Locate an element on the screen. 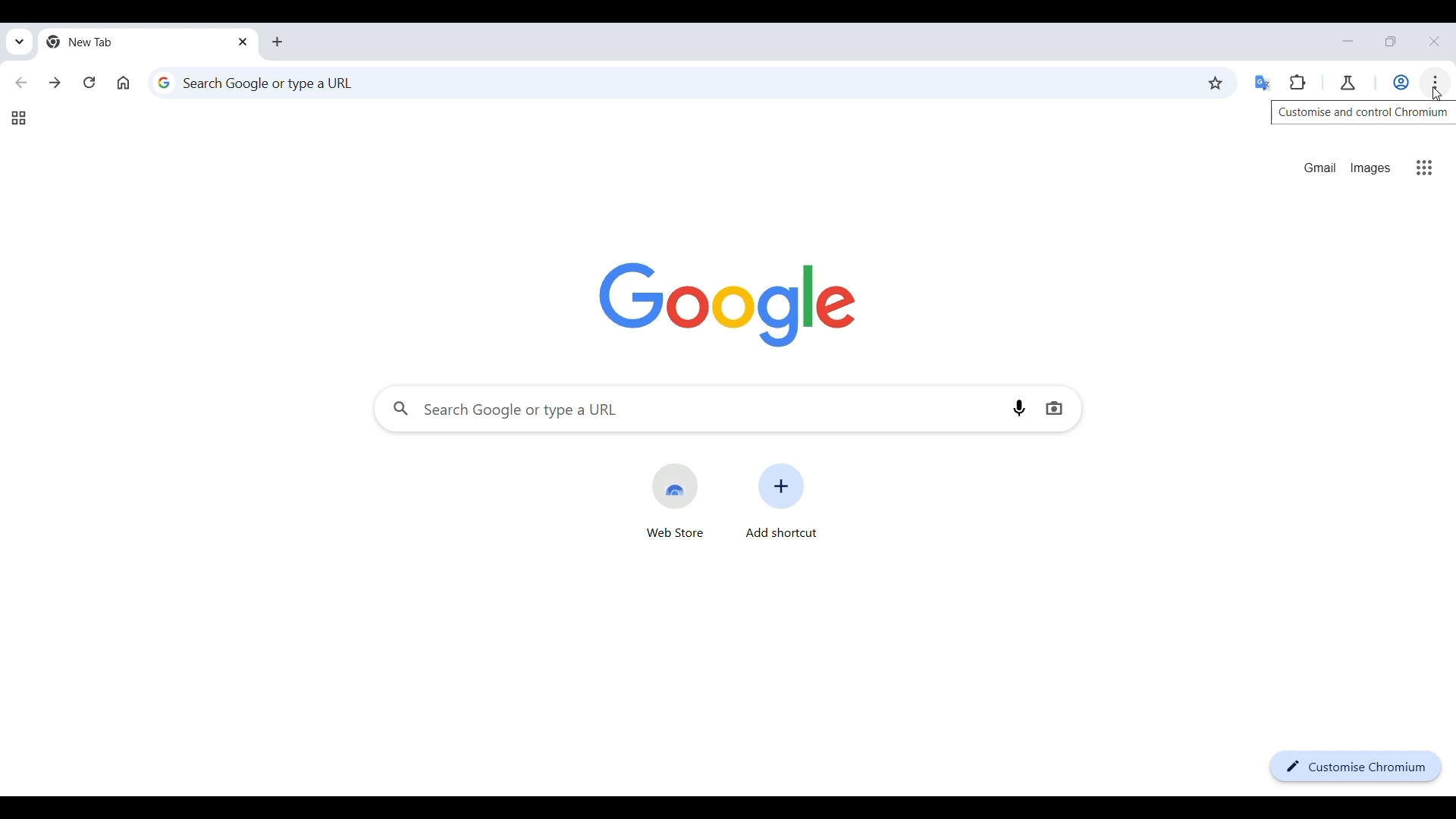  Open Google web store is located at coordinates (675, 501).